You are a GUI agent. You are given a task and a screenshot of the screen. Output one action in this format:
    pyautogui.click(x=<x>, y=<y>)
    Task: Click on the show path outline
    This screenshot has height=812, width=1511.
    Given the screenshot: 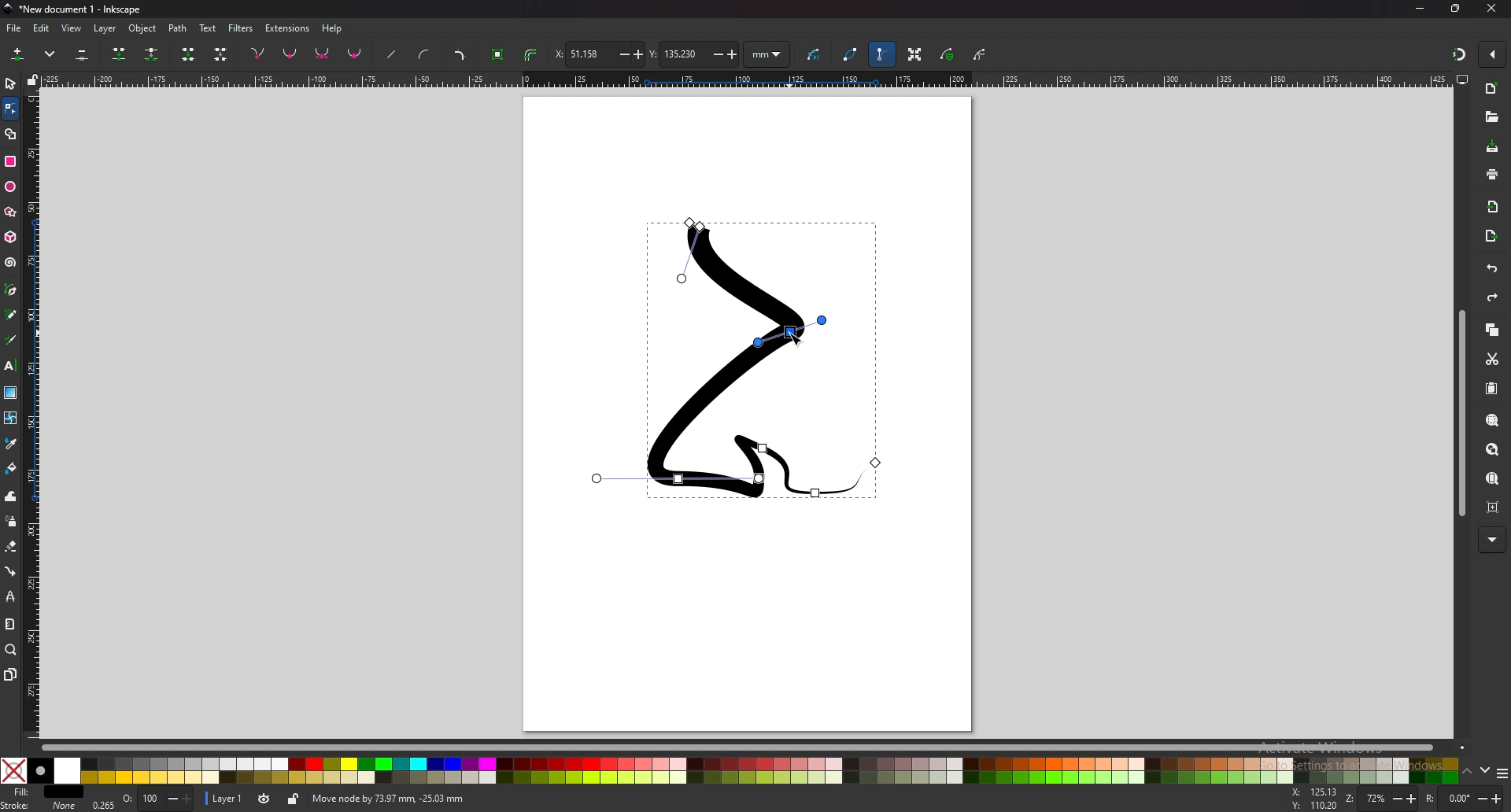 What is the action you would take?
    pyautogui.click(x=851, y=54)
    